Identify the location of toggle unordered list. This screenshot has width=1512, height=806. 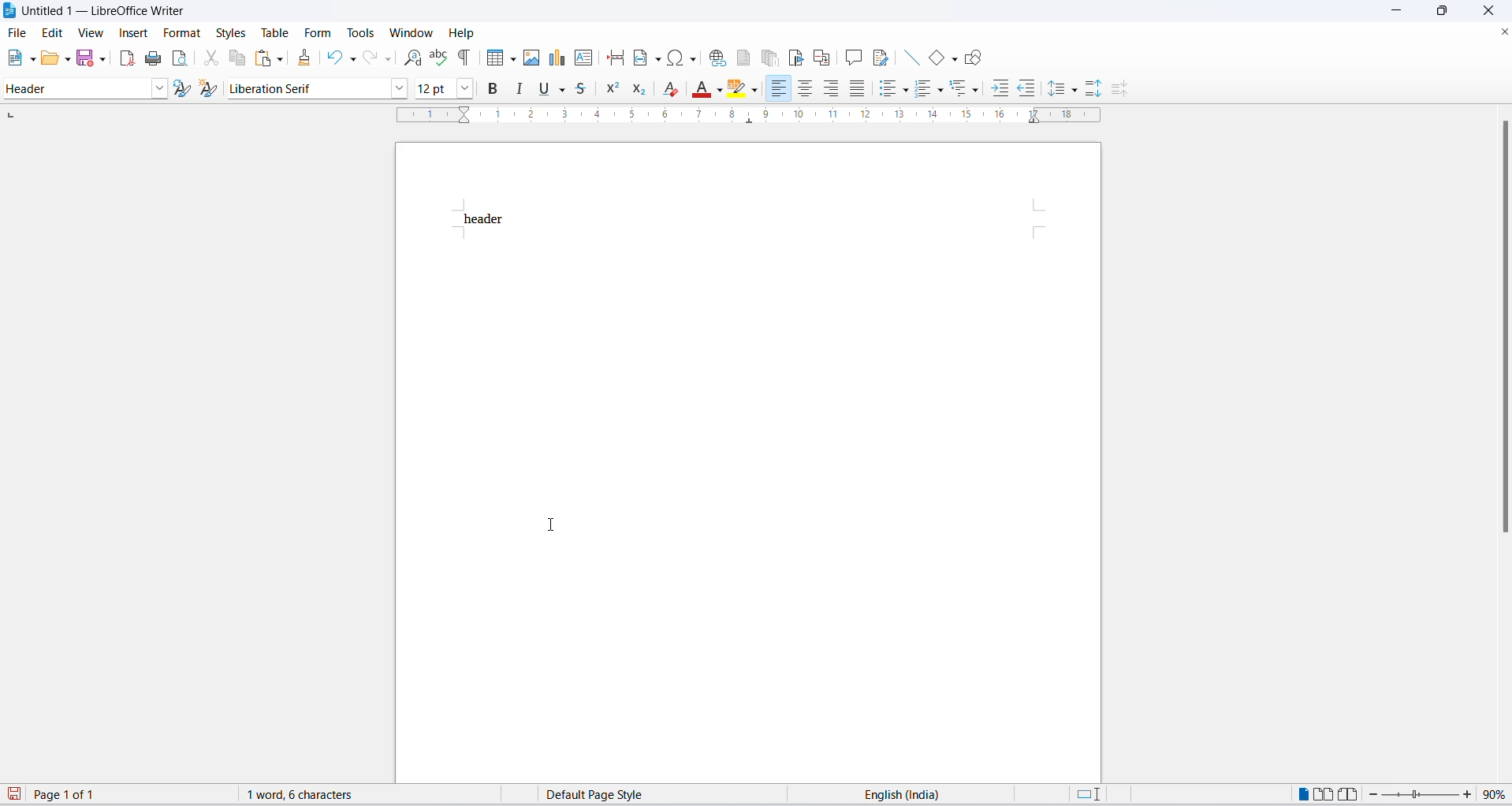
(884, 89).